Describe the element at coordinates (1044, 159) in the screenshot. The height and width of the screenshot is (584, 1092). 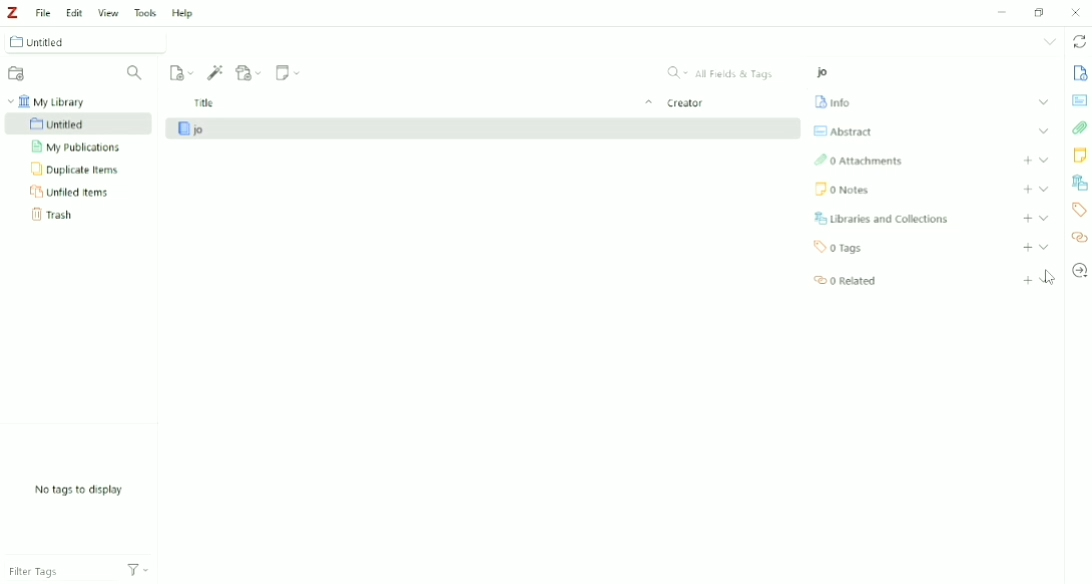
I see `Expand section` at that location.